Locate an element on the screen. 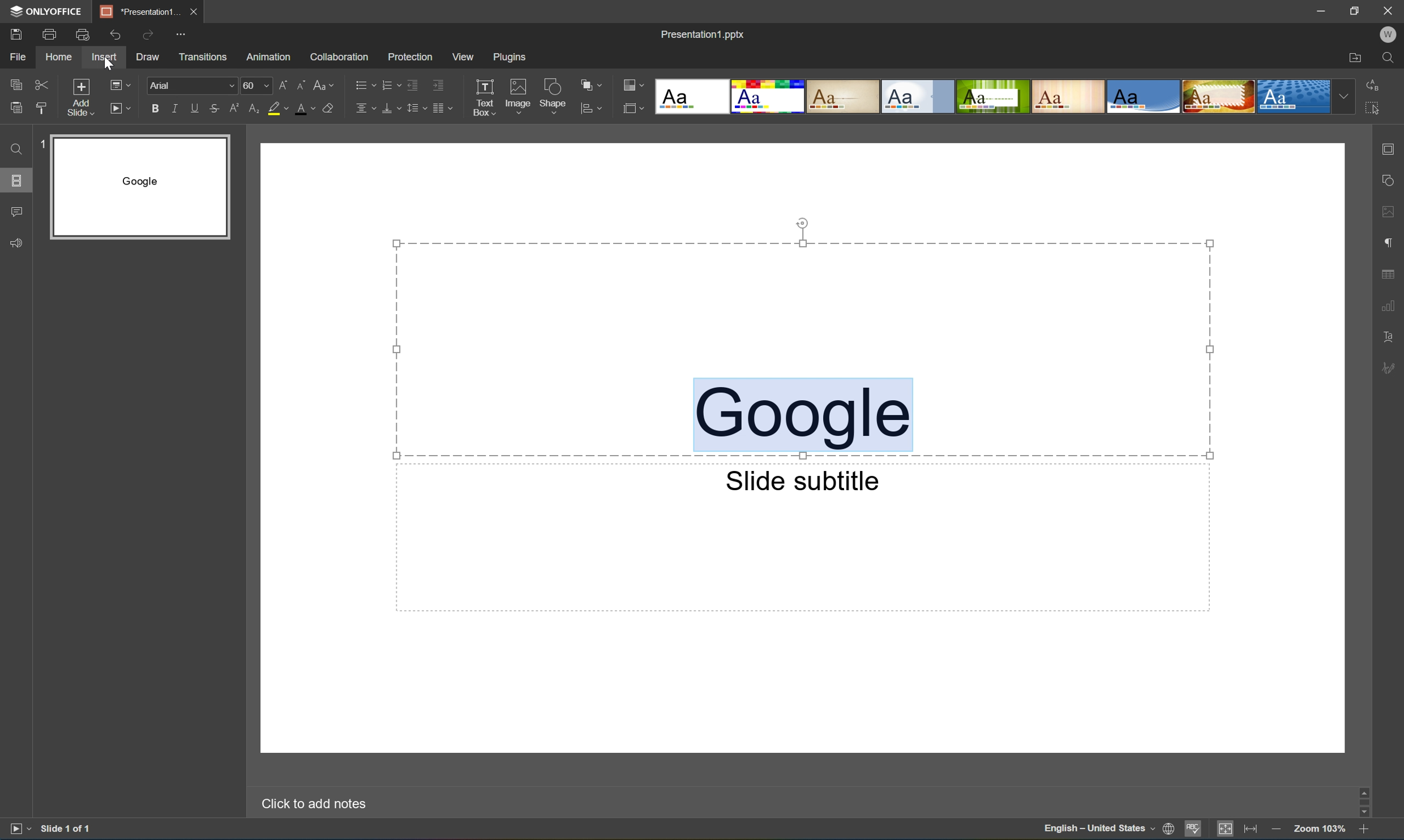  Italic is located at coordinates (179, 109).